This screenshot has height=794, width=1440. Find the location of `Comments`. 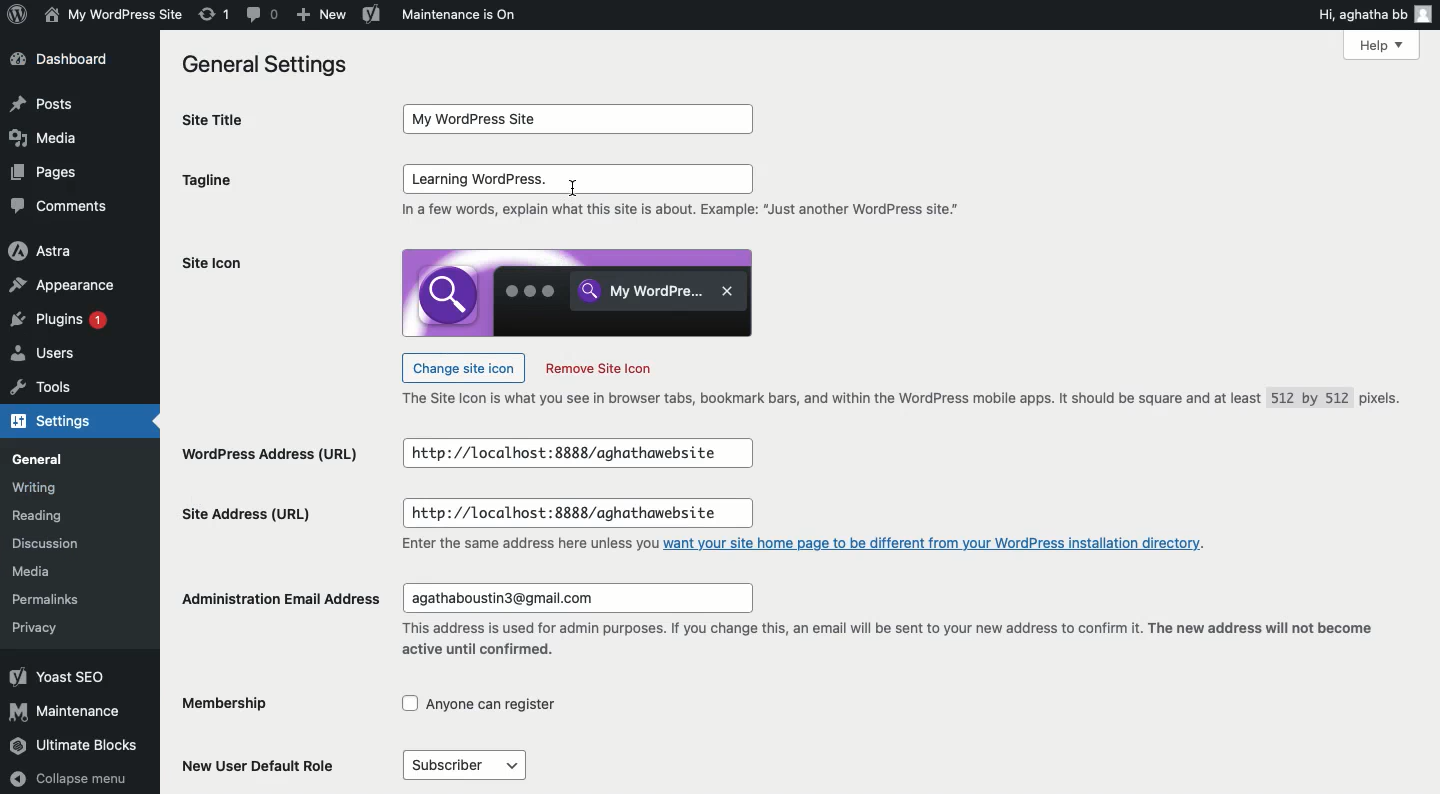

Comments is located at coordinates (60, 206).